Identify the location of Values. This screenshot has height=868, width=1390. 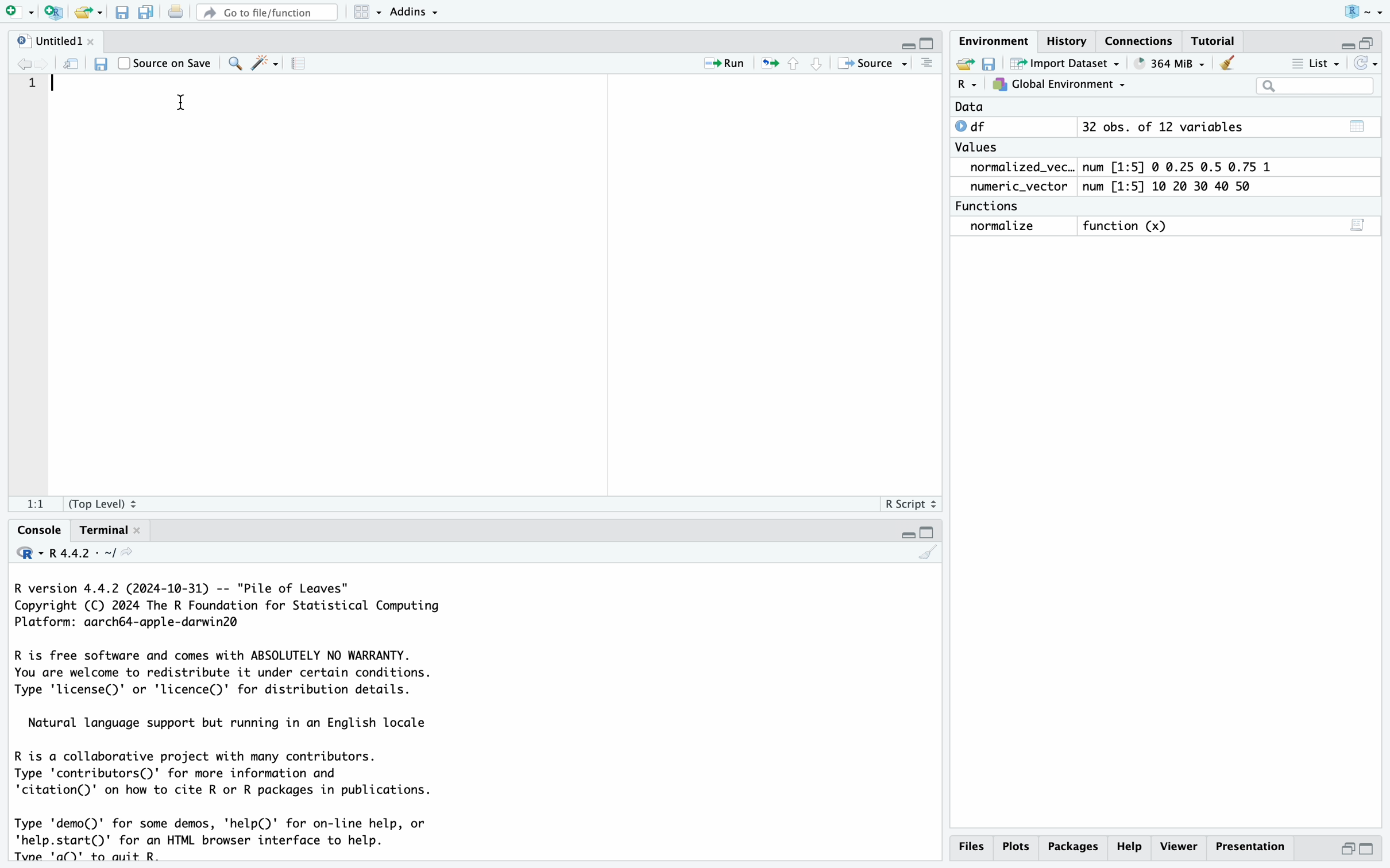
(976, 150).